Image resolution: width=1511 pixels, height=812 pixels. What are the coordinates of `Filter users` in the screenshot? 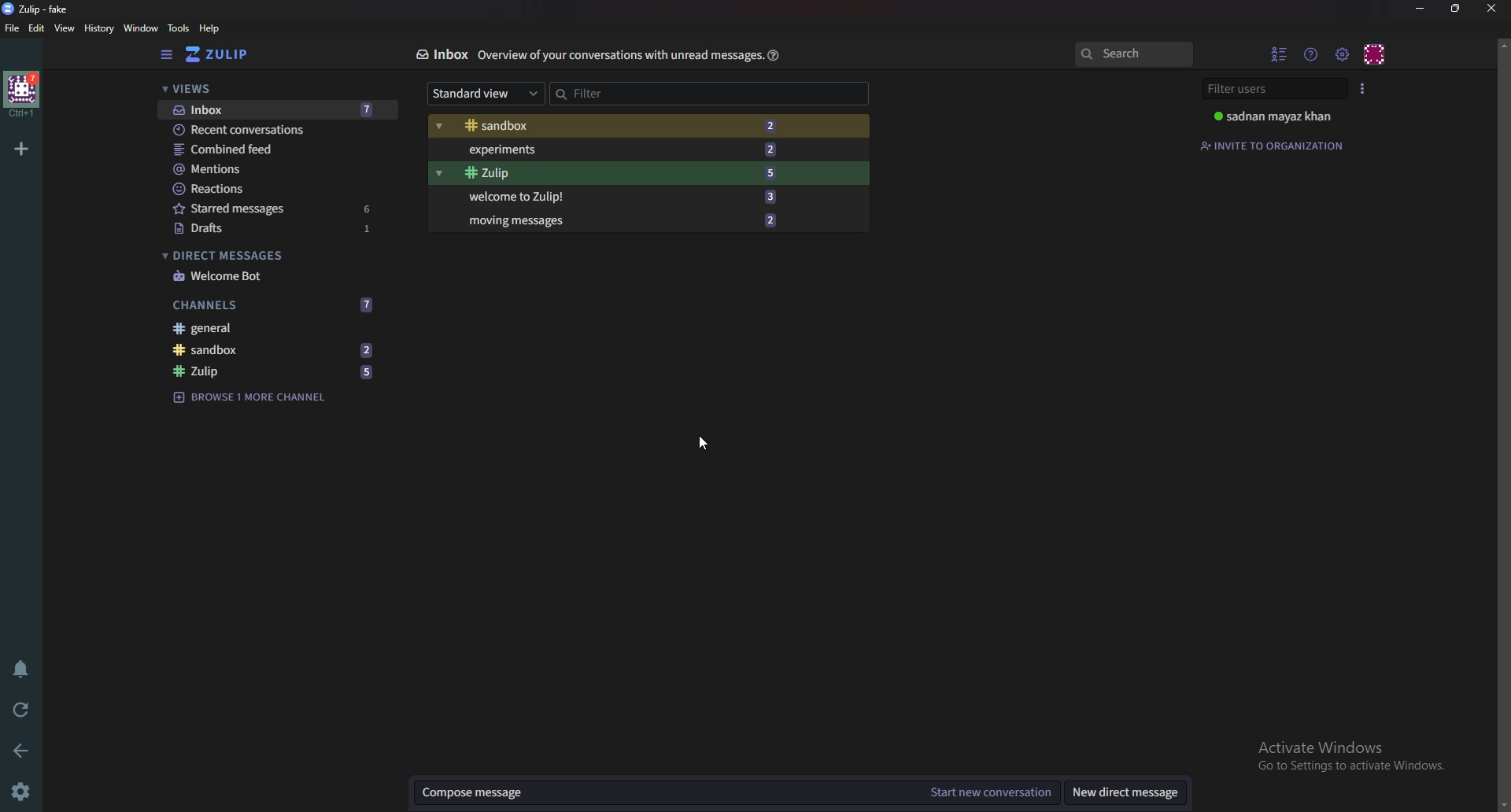 It's located at (1269, 88).